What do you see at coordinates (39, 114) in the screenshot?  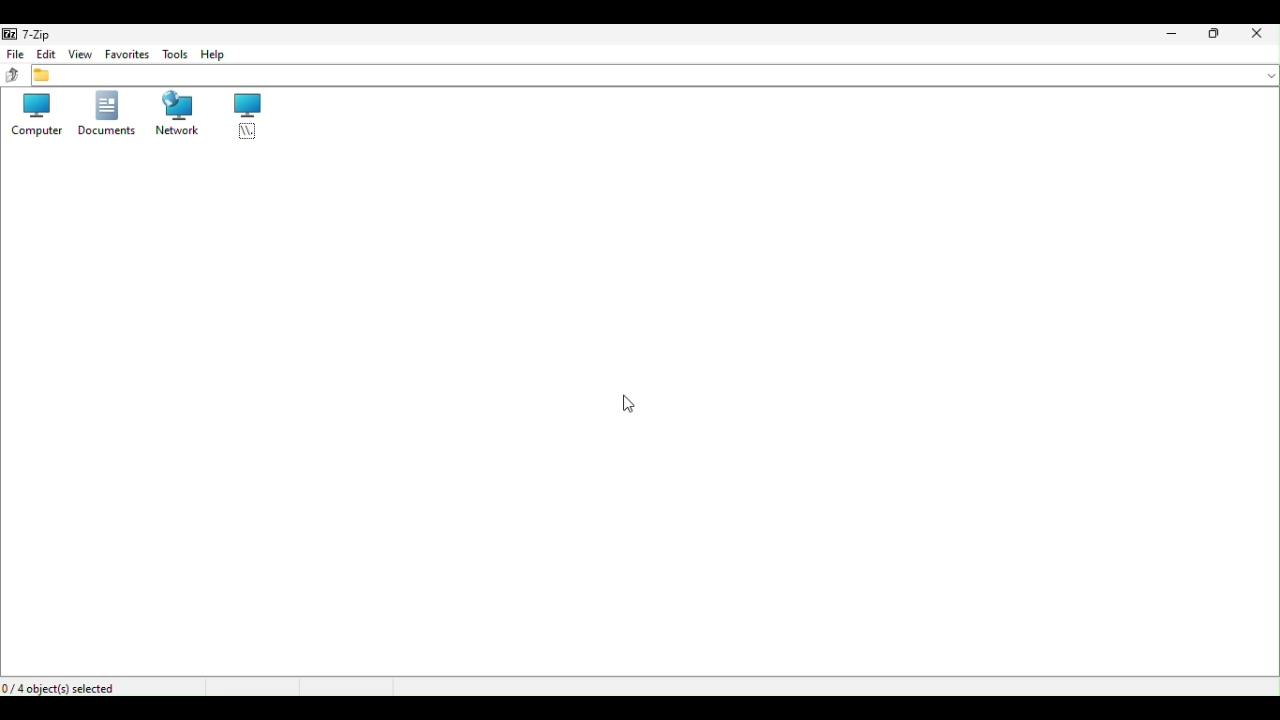 I see `Computers` at bounding box center [39, 114].